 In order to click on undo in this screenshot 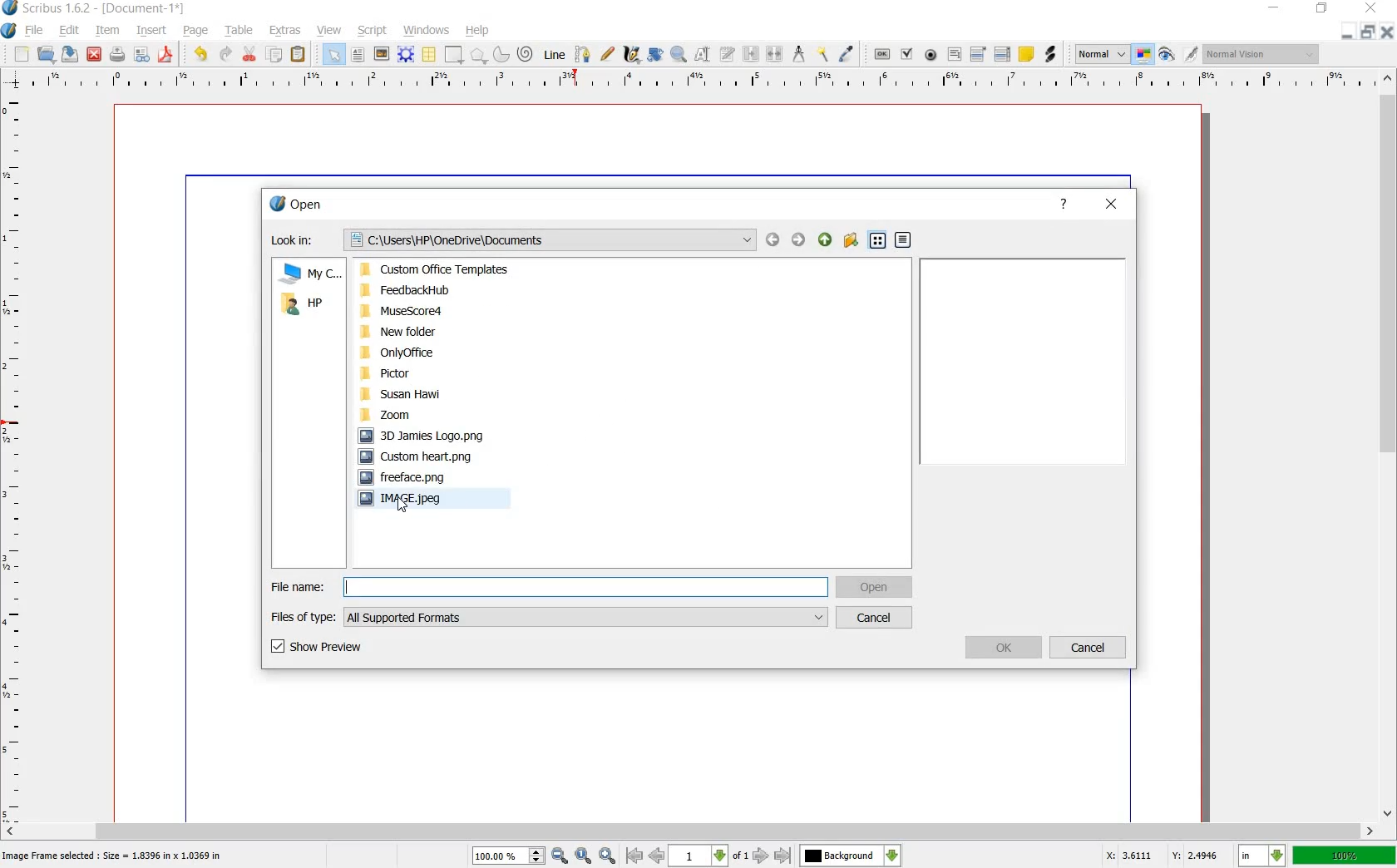, I will do `click(201, 53)`.